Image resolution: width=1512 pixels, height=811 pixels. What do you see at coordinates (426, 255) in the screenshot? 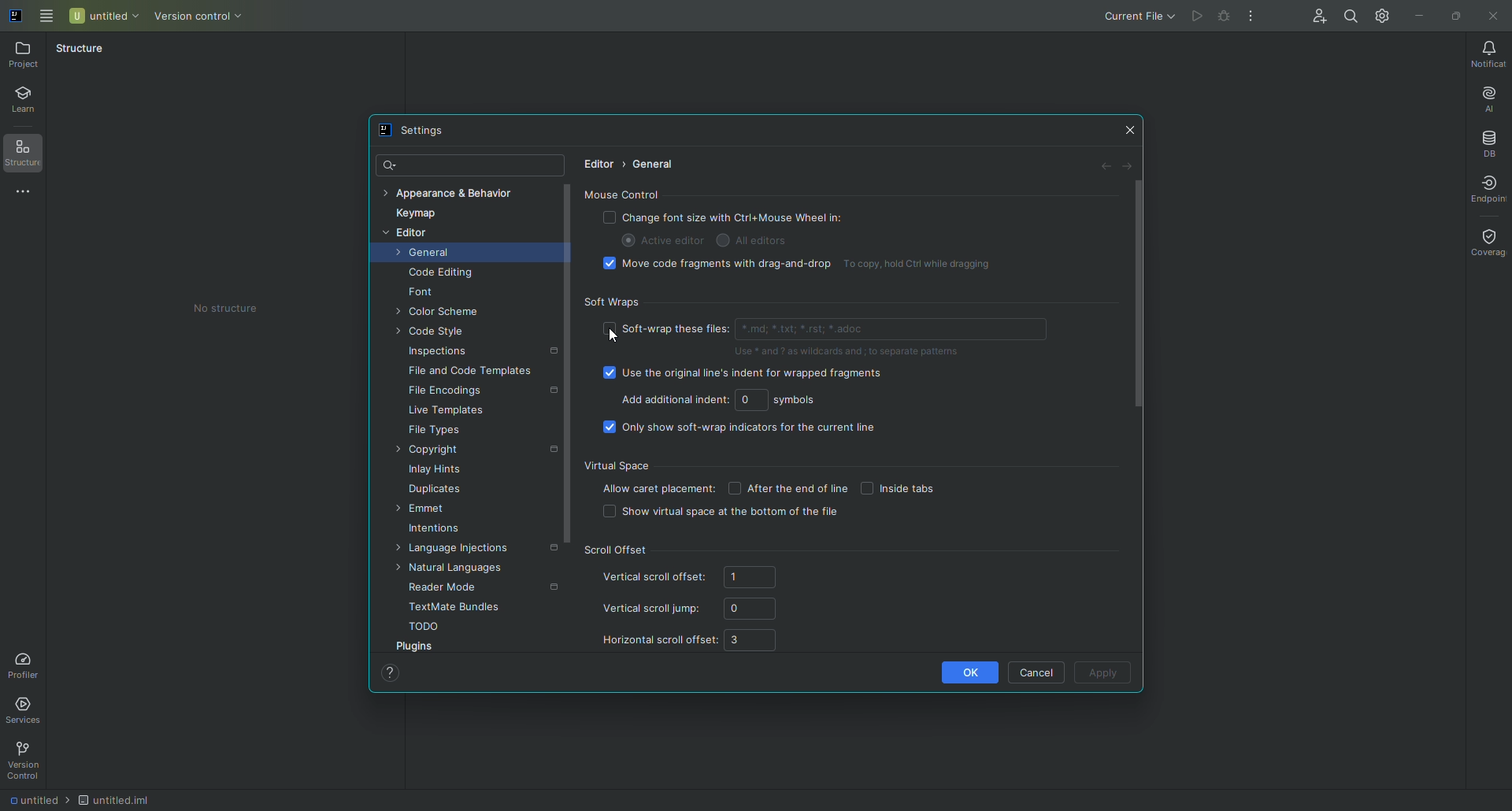
I see `General` at bounding box center [426, 255].